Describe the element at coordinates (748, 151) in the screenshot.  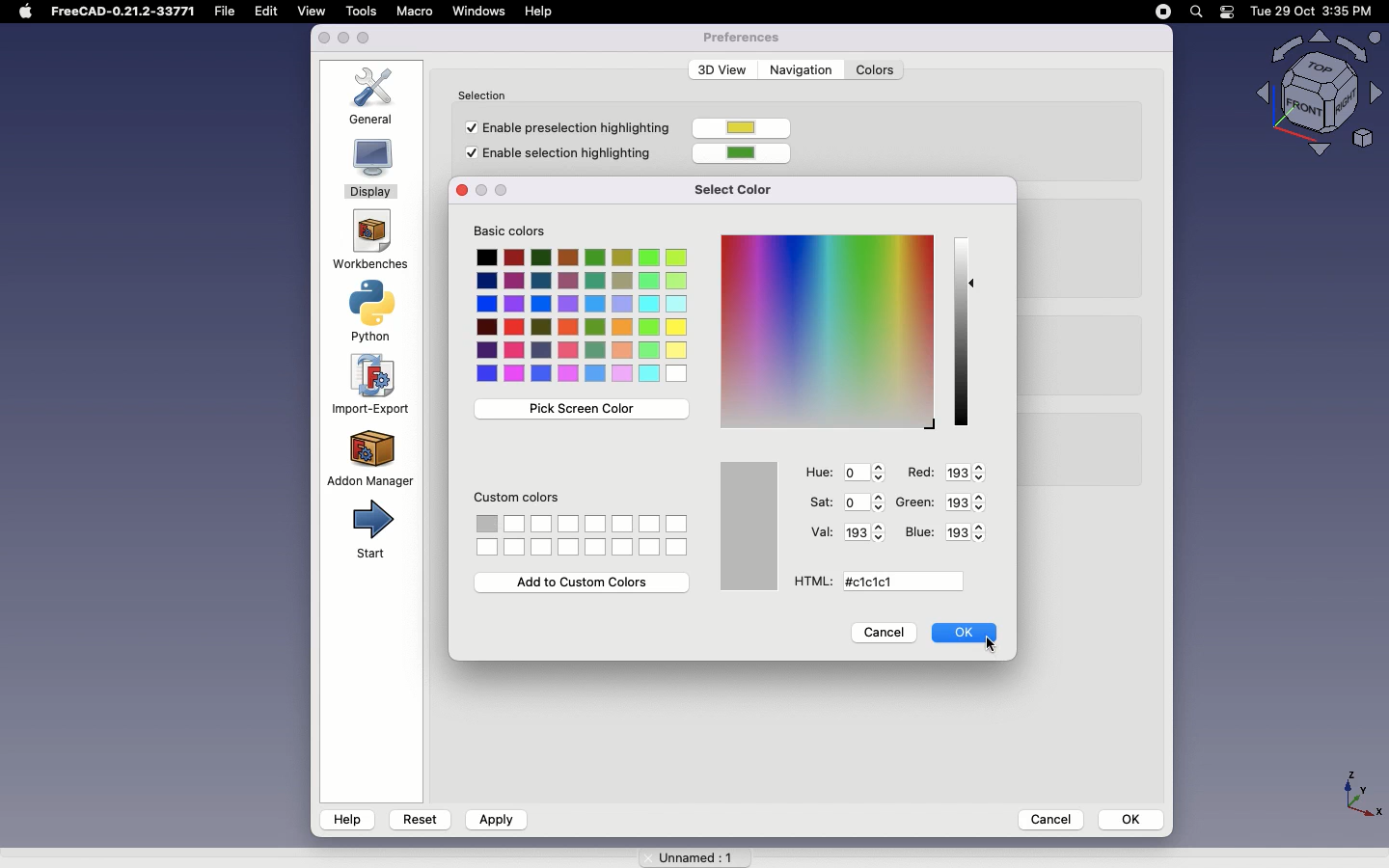
I see `color` at that location.